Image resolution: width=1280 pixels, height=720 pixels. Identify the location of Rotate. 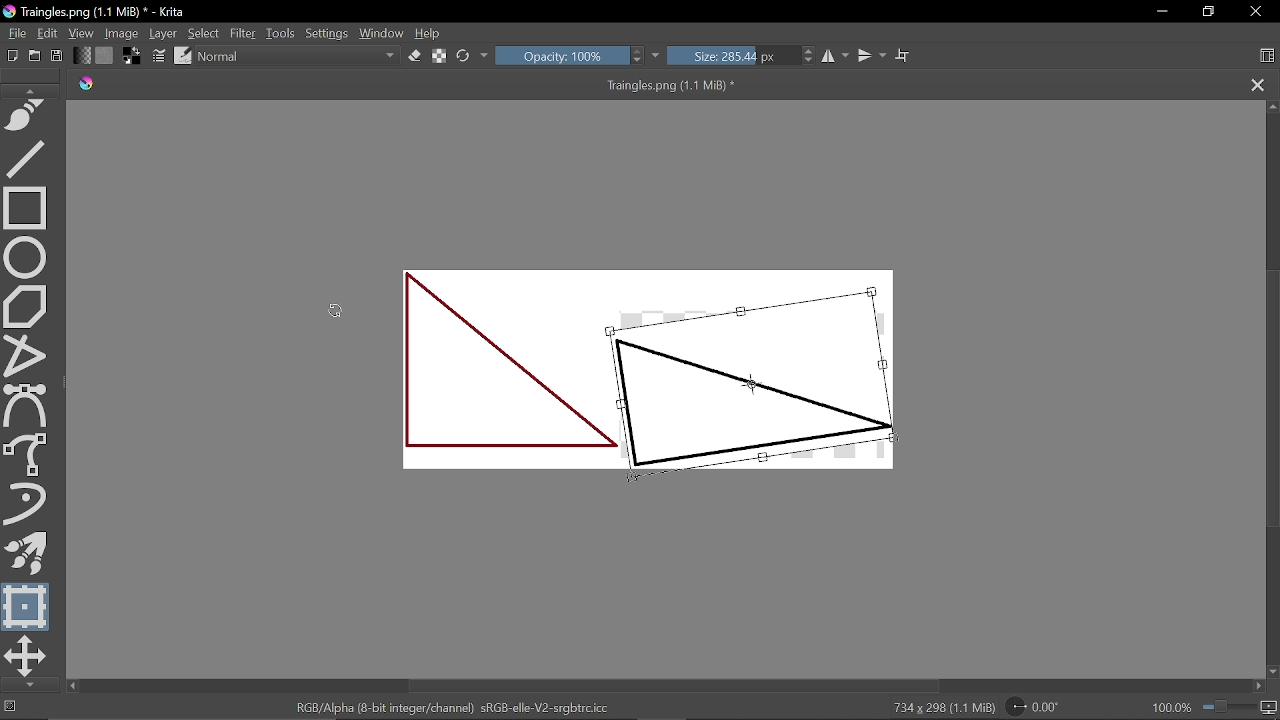
(1042, 706).